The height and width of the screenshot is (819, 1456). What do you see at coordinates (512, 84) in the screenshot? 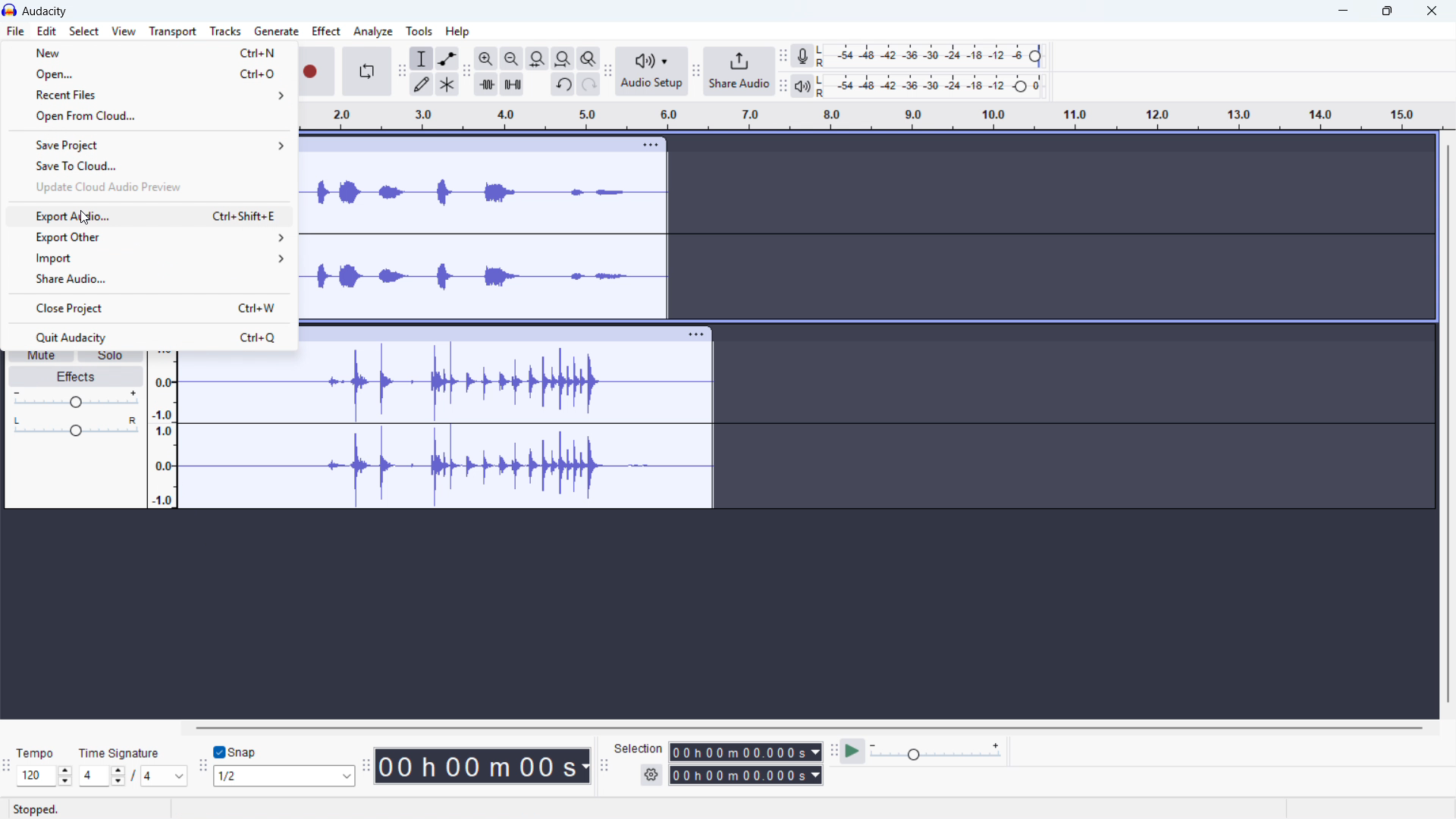
I see `Silence audio selection ` at bounding box center [512, 84].